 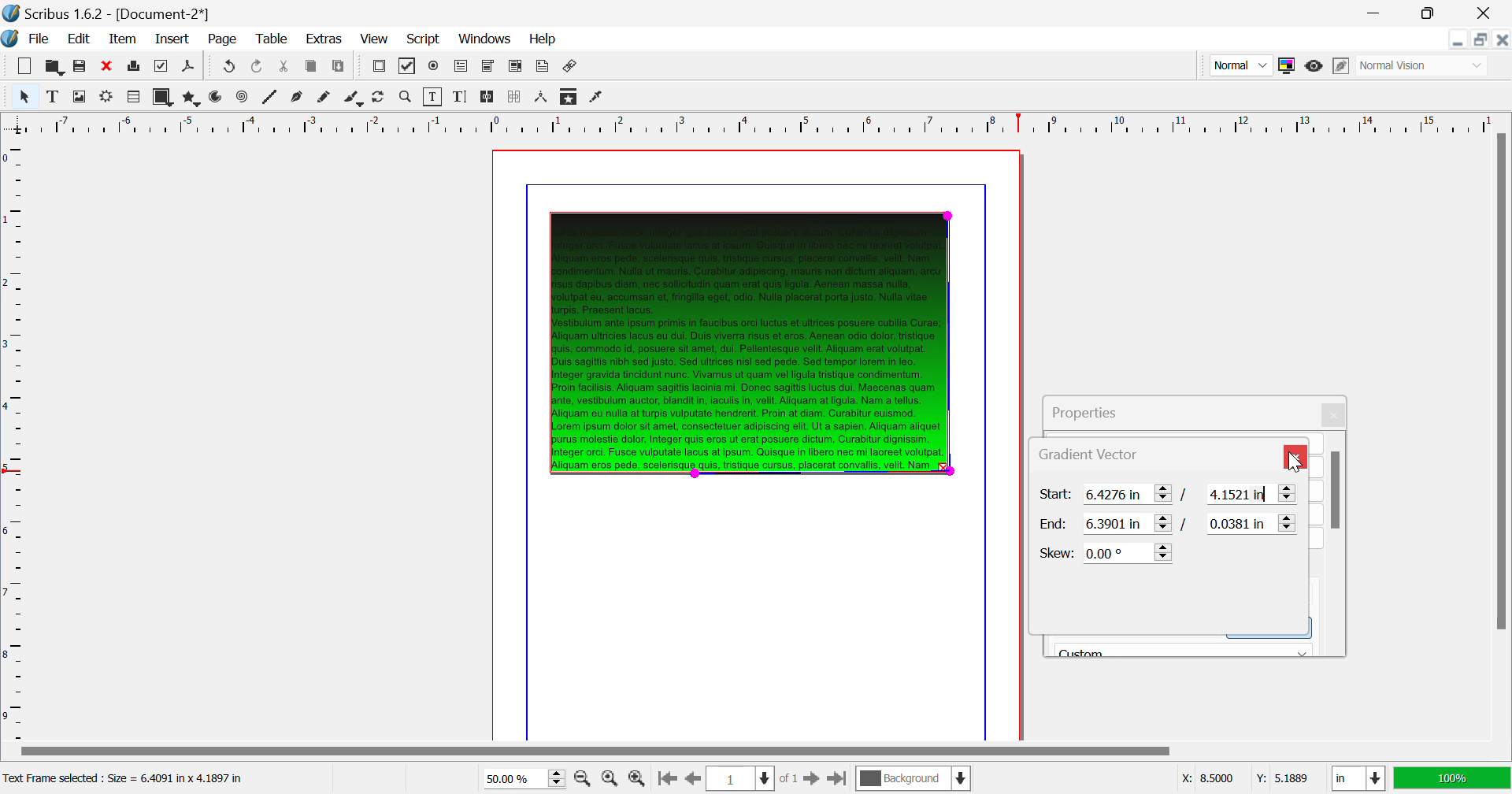 What do you see at coordinates (913, 780) in the screenshot?
I see `Background` at bounding box center [913, 780].